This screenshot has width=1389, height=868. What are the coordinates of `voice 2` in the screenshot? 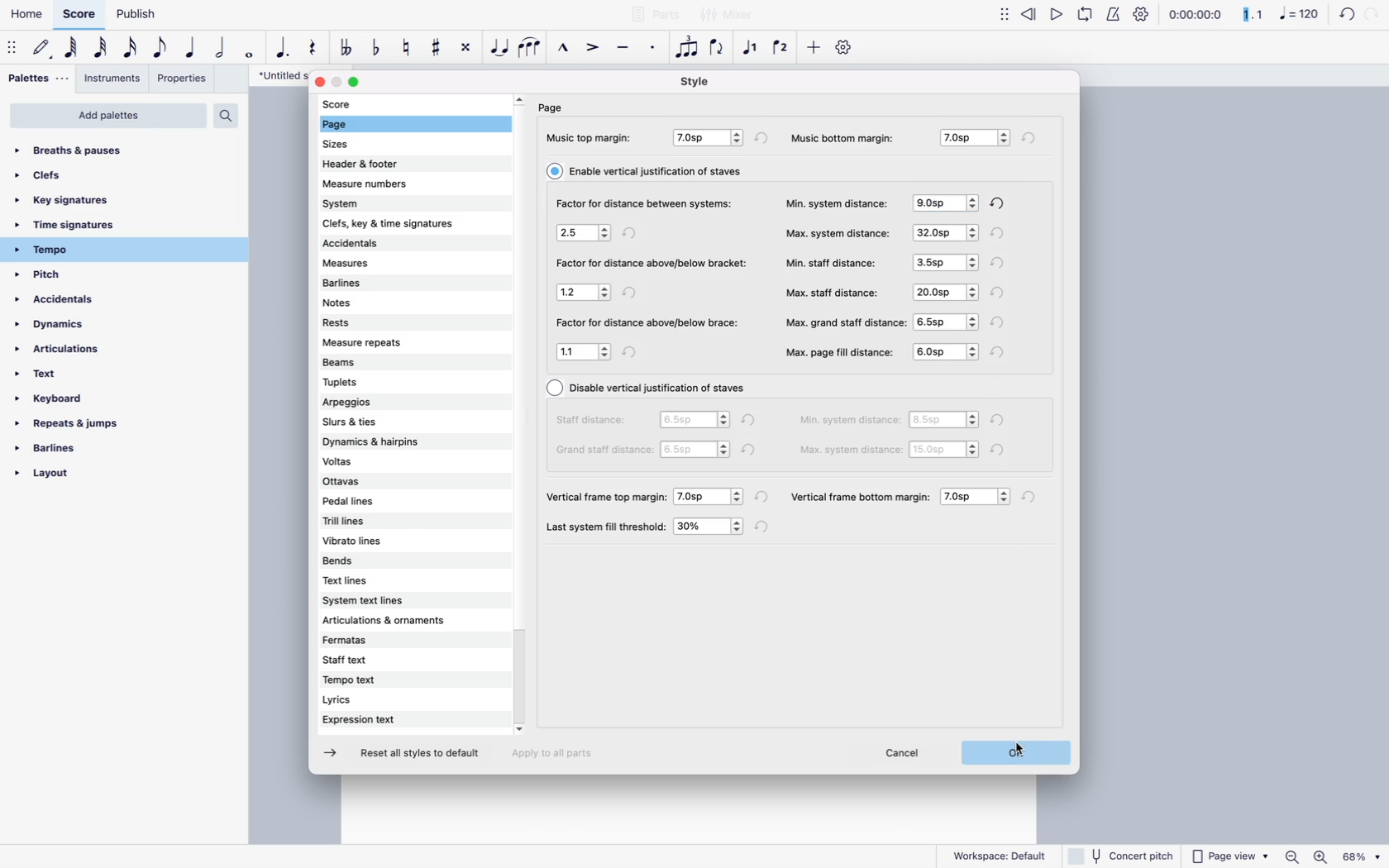 It's located at (782, 48).